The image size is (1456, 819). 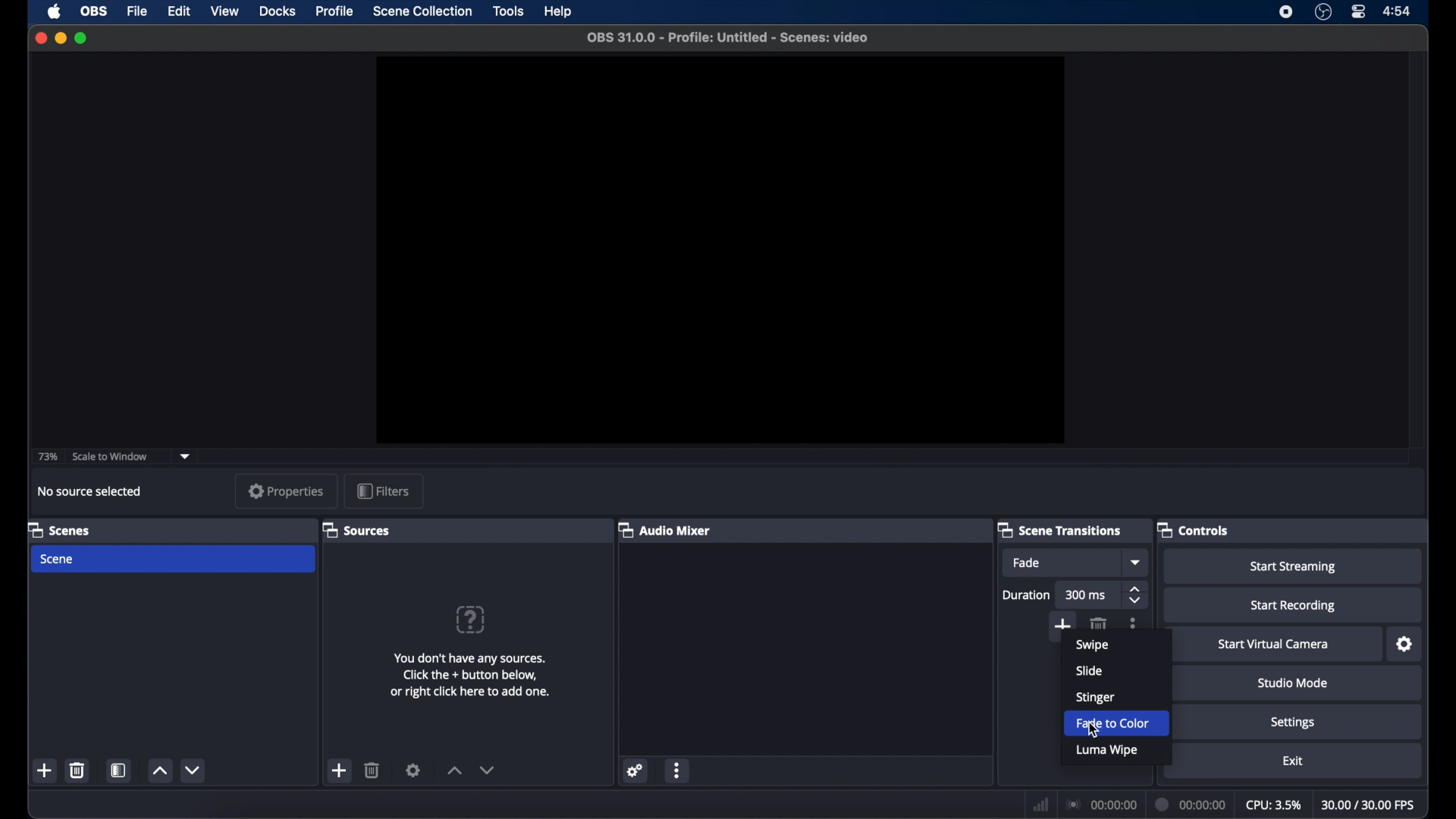 What do you see at coordinates (1028, 563) in the screenshot?
I see `fade` at bounding box center [1028, 563].